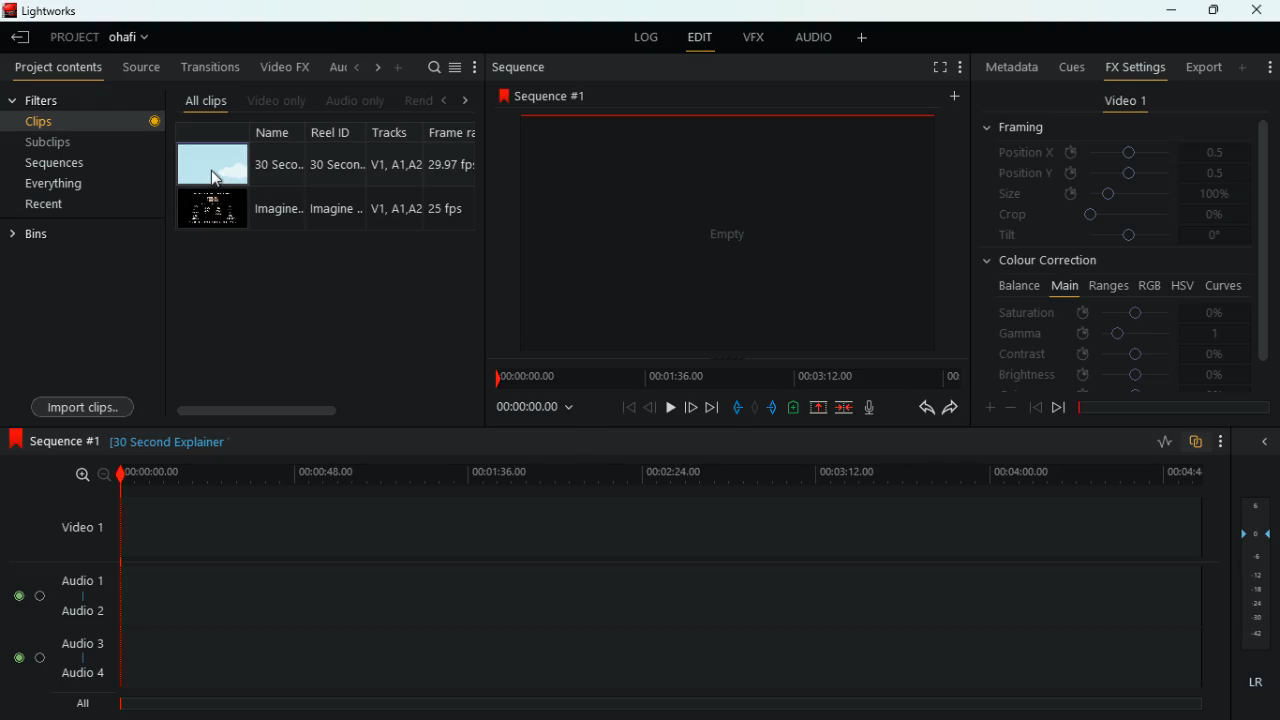 The width and height of the screenshot is (1280, 720). Describe the element at coordinates (721, 233) in the screenshot. I see `video` at that location.